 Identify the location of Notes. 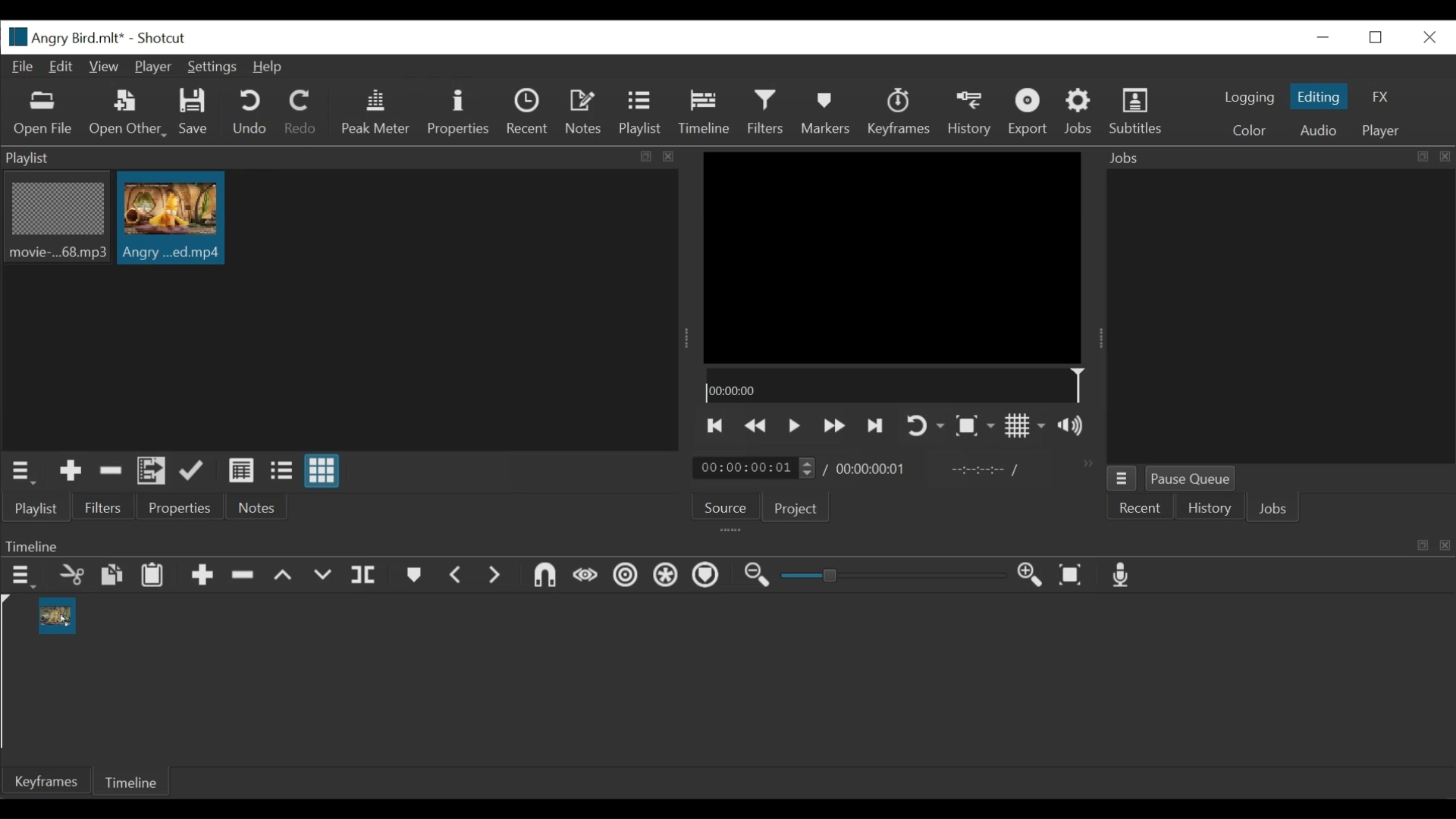
(585, 112).